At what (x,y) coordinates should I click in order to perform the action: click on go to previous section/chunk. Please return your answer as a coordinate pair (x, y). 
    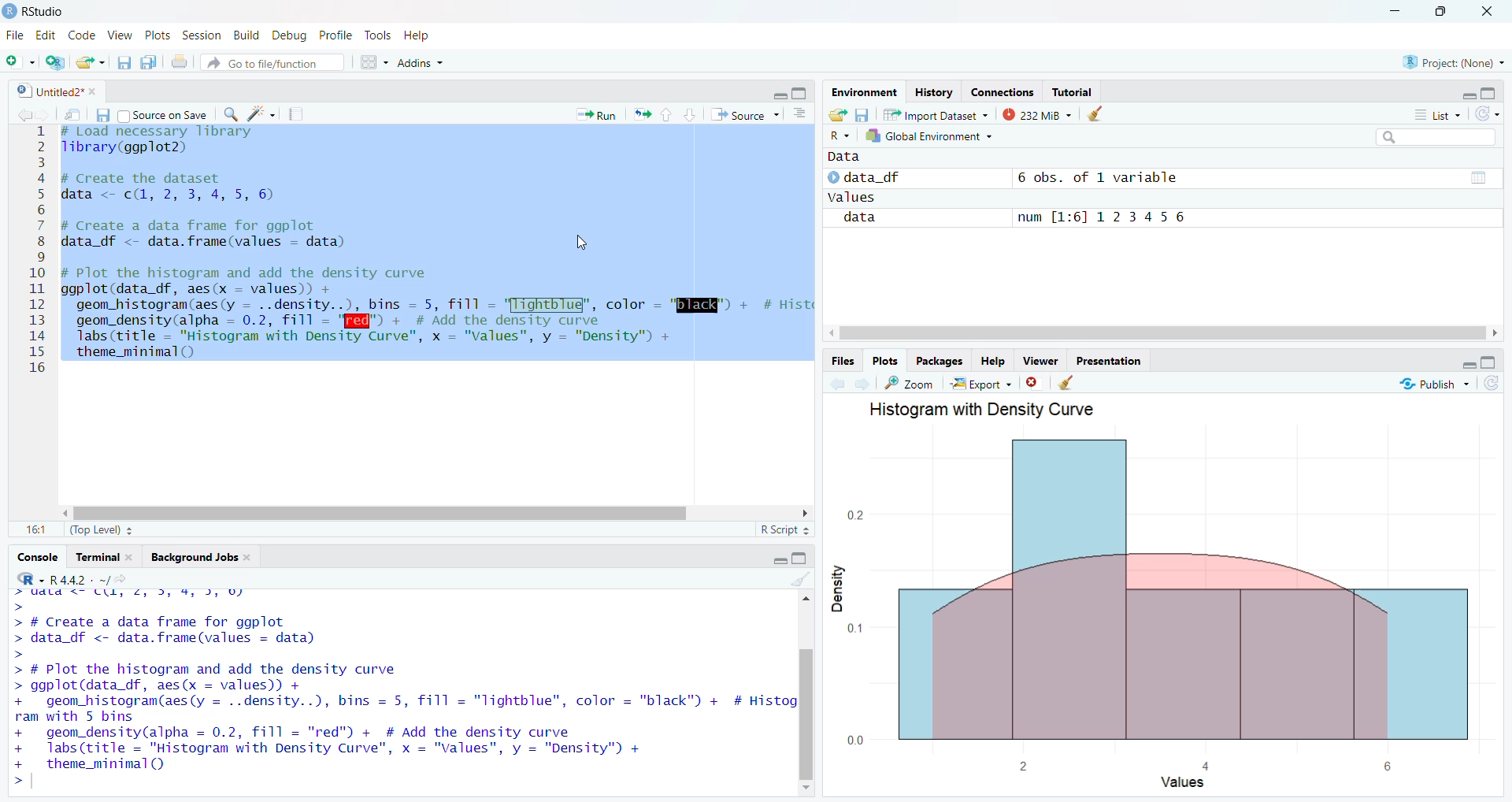
    Looking at the image, I should click on (665, 115).